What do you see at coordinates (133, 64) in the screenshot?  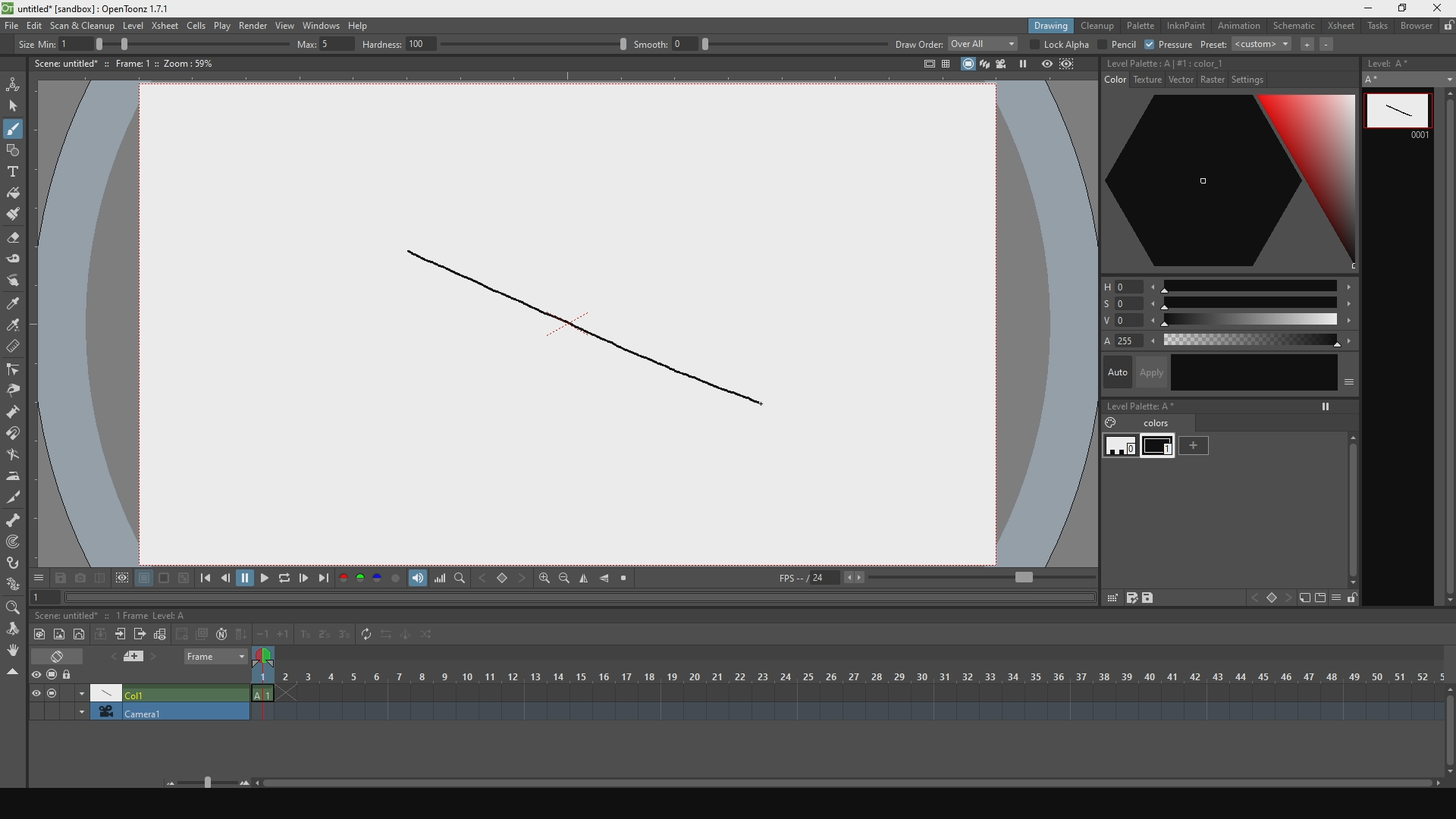 I see `scene details` at bounding box center [133, 64].